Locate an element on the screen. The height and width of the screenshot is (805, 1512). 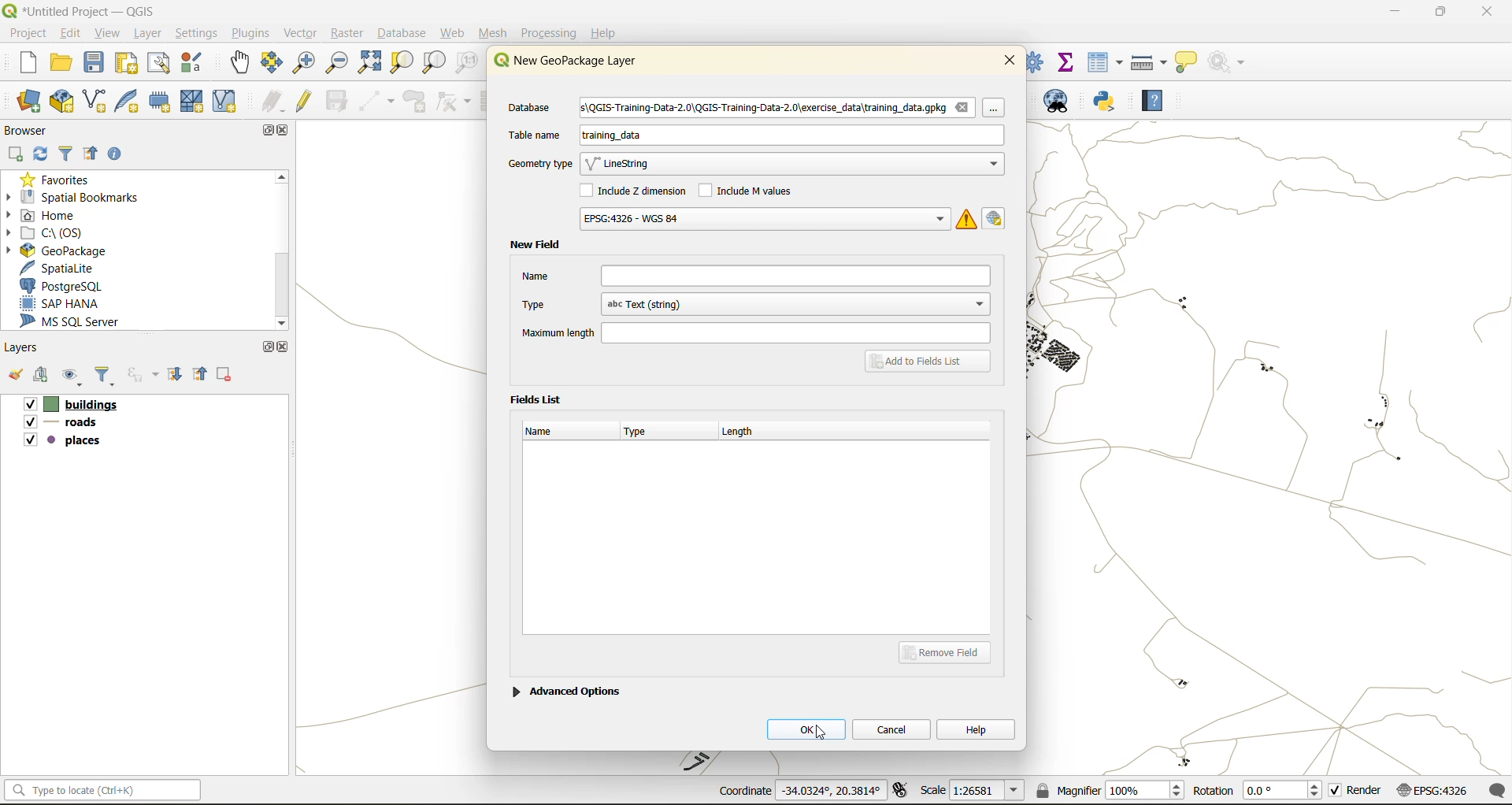
statistical summary is located at coordinates (1067, 61).